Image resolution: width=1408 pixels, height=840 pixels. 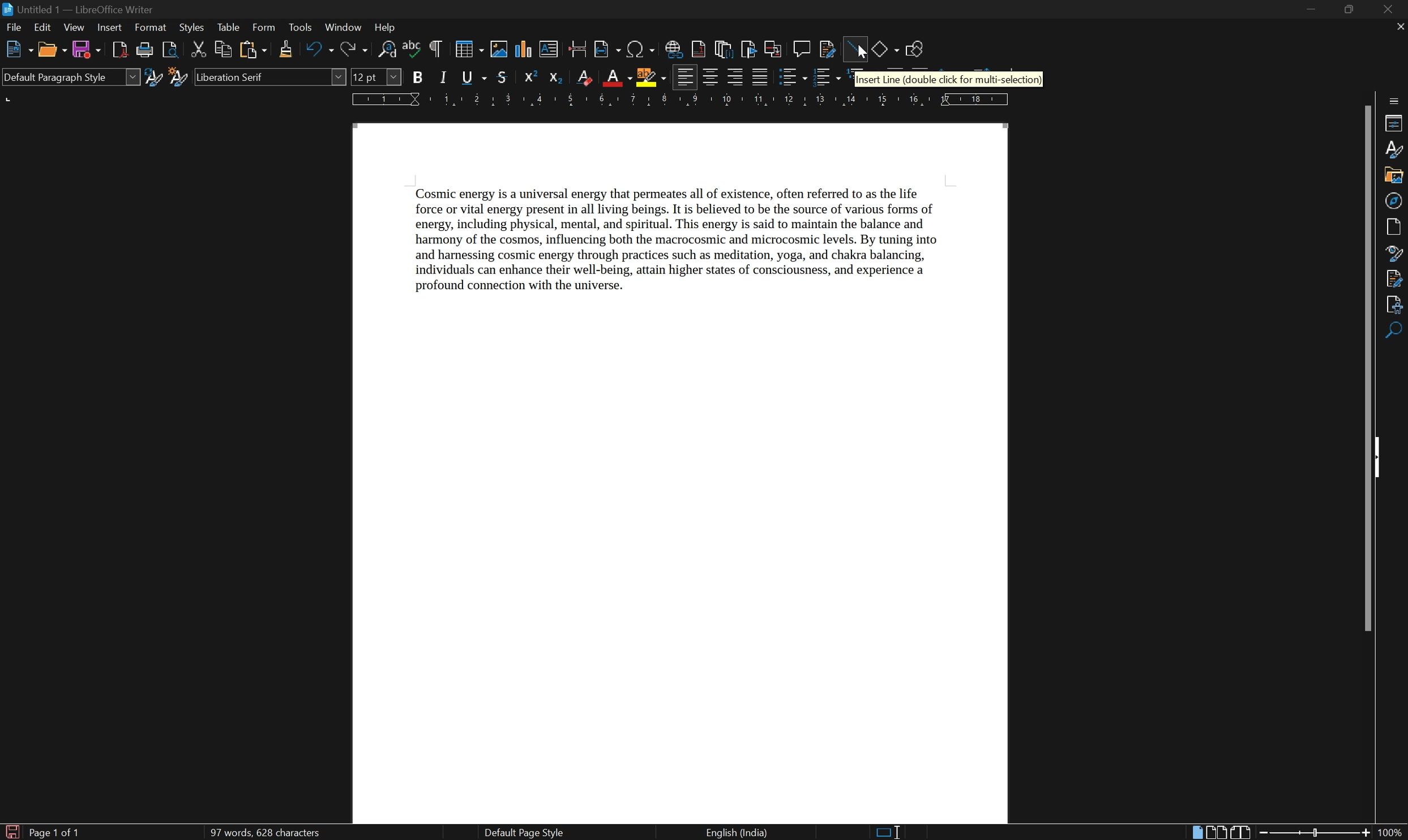 What do you see at coordinates (554, 78) in the screenshot?
I see `subscript` at bounding box center [554, 78].